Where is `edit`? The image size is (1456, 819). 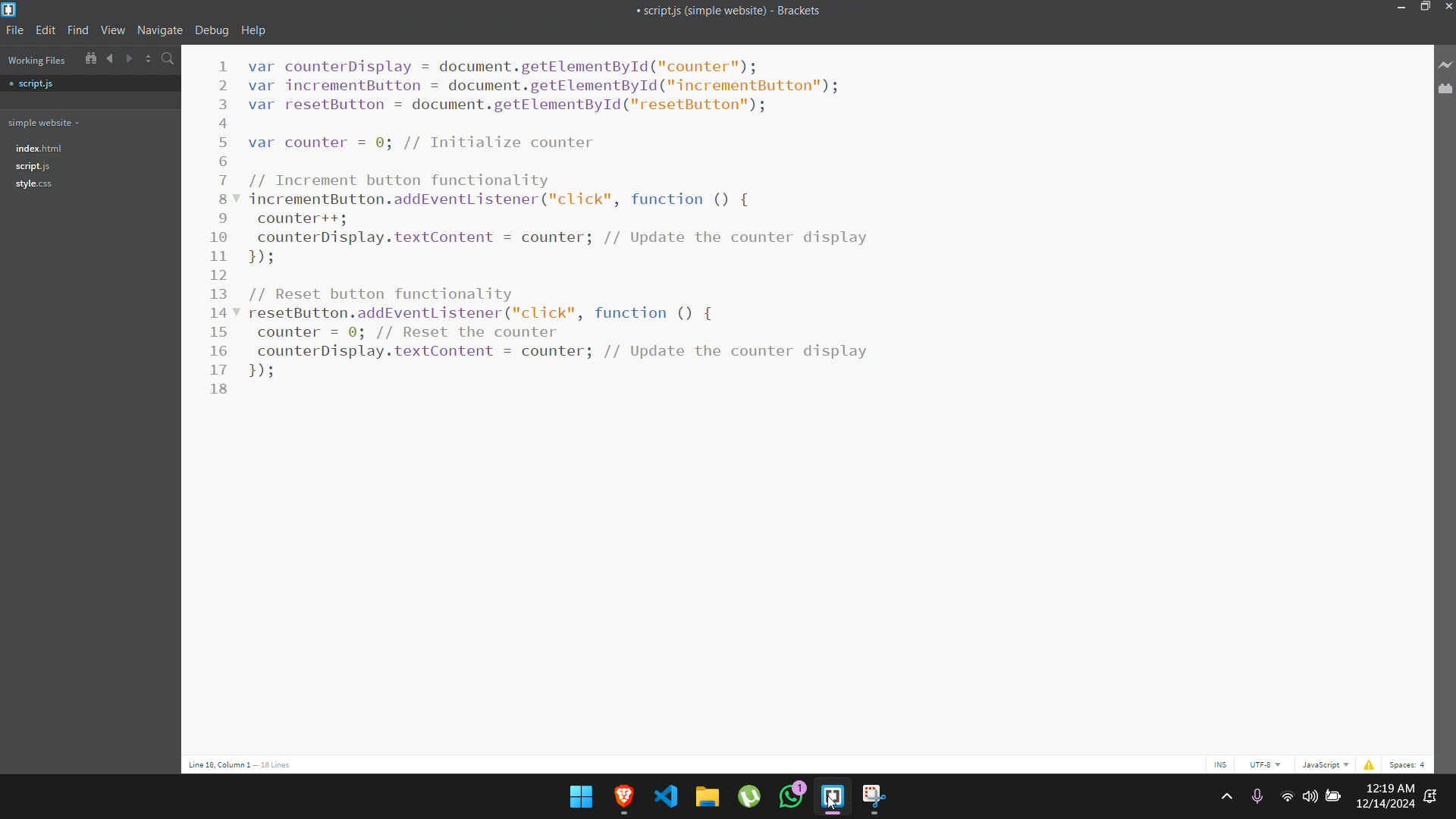 edit is located at coordinates (46, 31).